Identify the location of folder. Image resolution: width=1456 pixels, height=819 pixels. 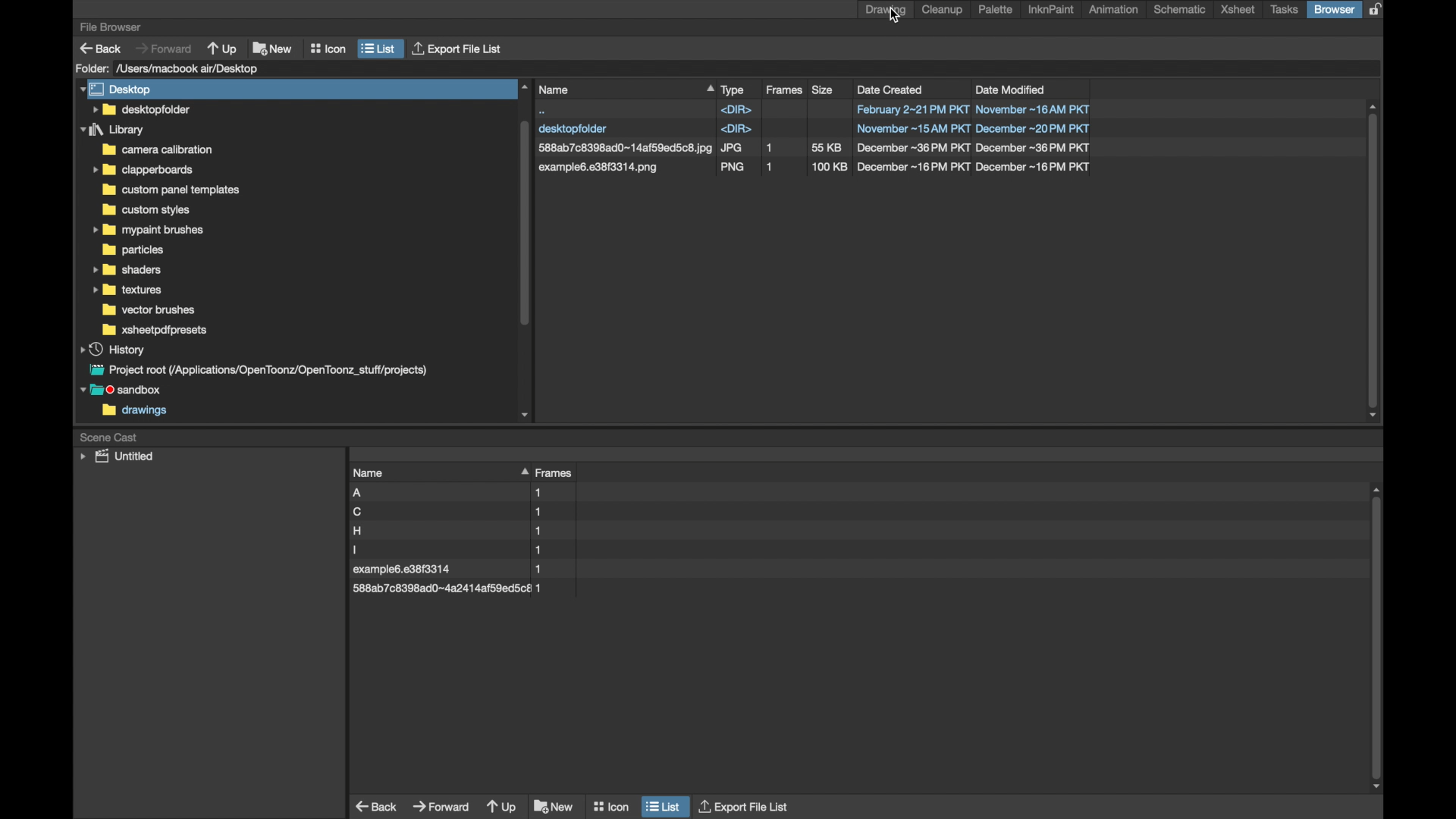
(140, 109).